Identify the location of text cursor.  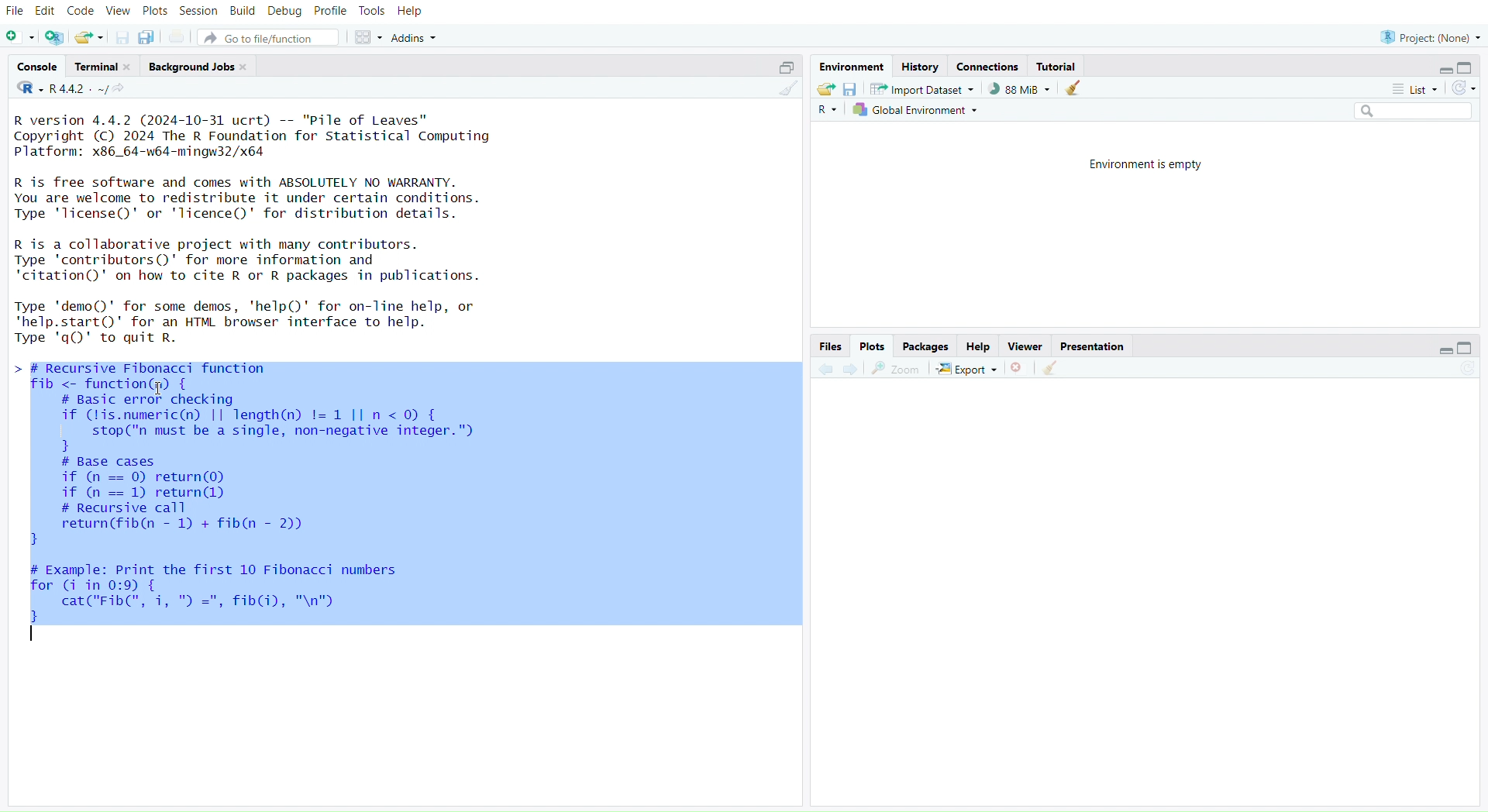
(34, 637).